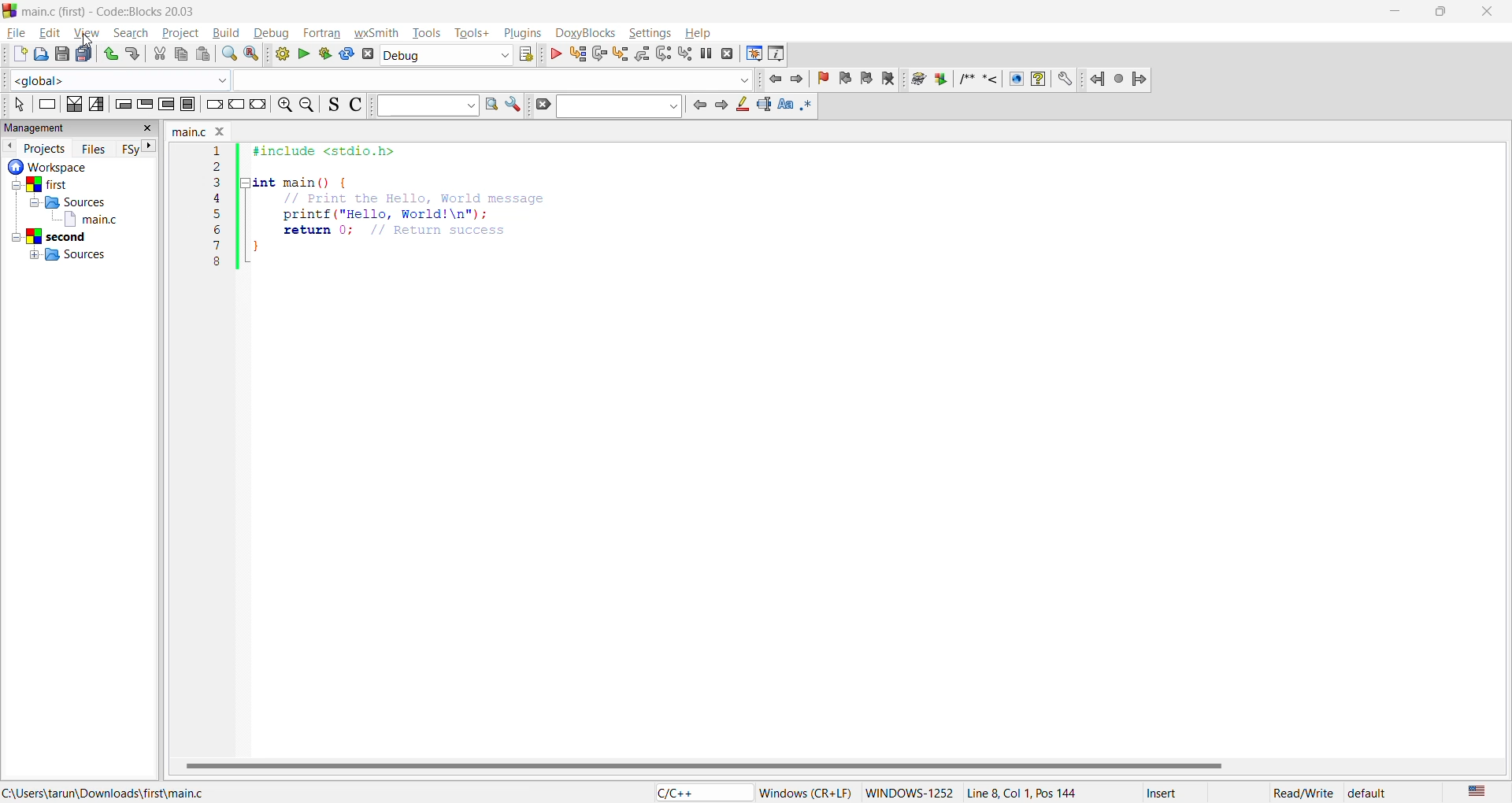 The width and height of the screenshot is (1512, 803). What do you see at coordinates (526, 54) in the screenshot?
I see `show the select target dialog` at bounding box center [526, 54].